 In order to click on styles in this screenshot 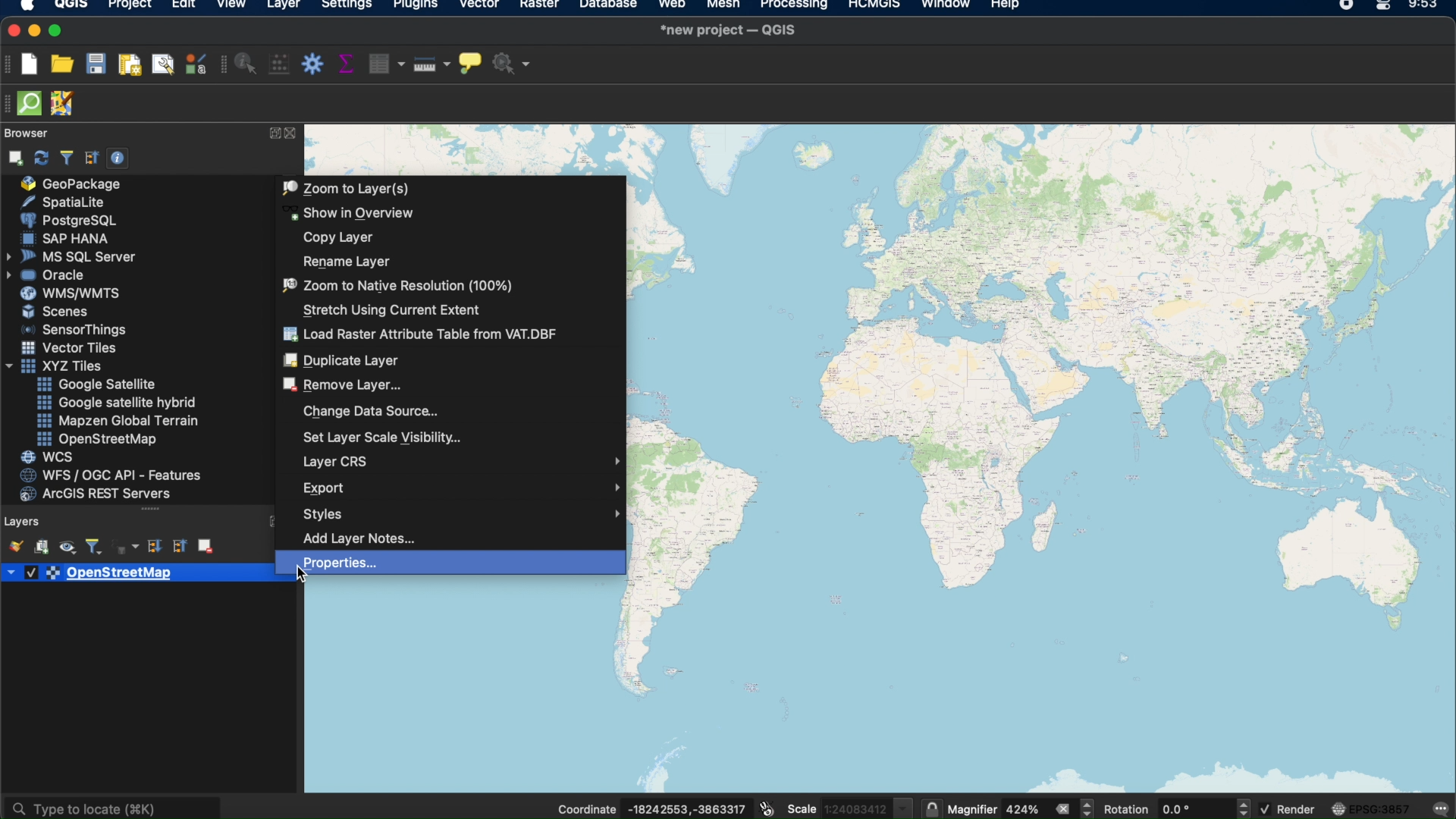, I will do `click(462, 515)`.